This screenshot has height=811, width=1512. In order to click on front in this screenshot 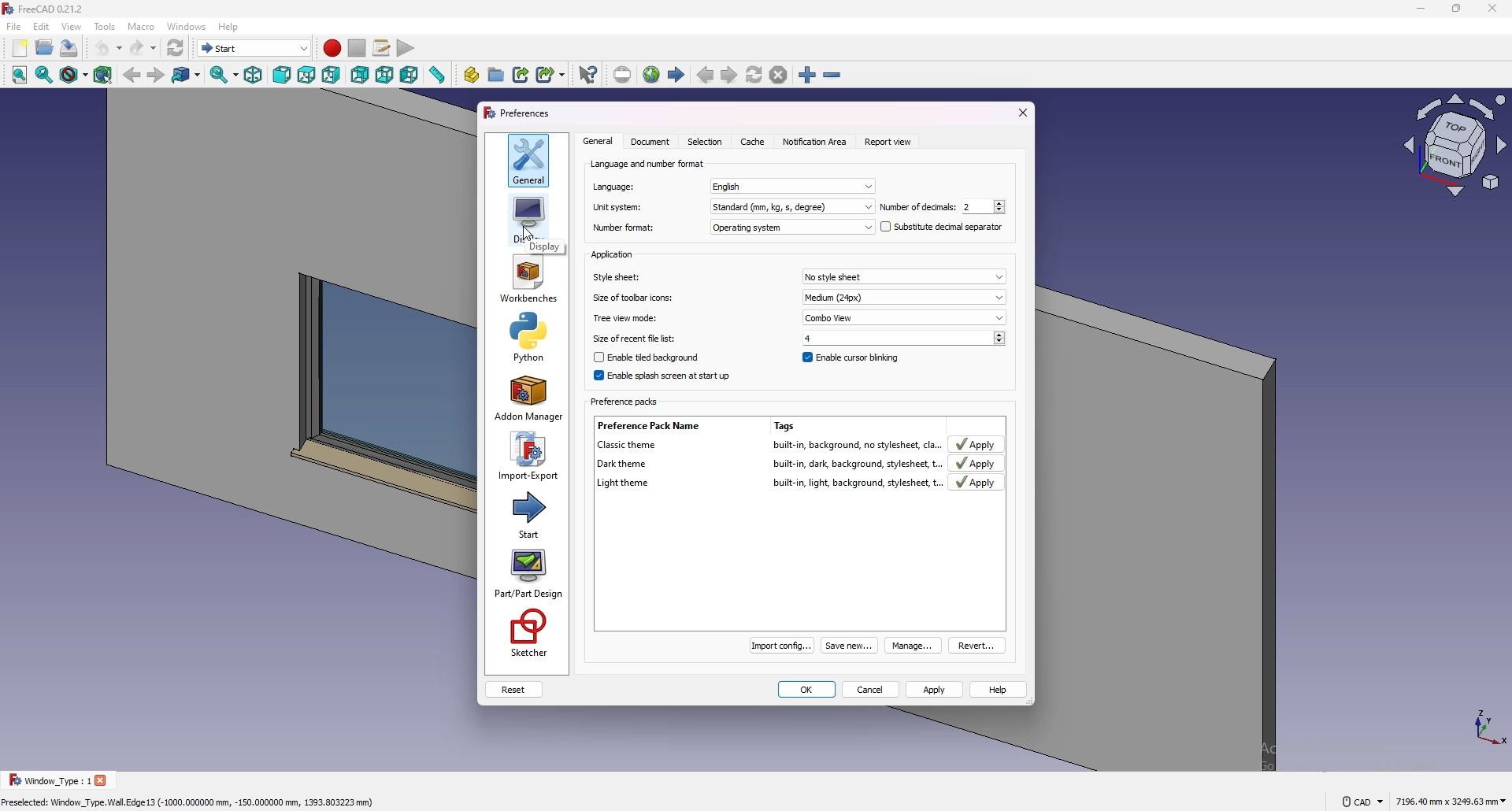, I will do `click(283, 76)`.